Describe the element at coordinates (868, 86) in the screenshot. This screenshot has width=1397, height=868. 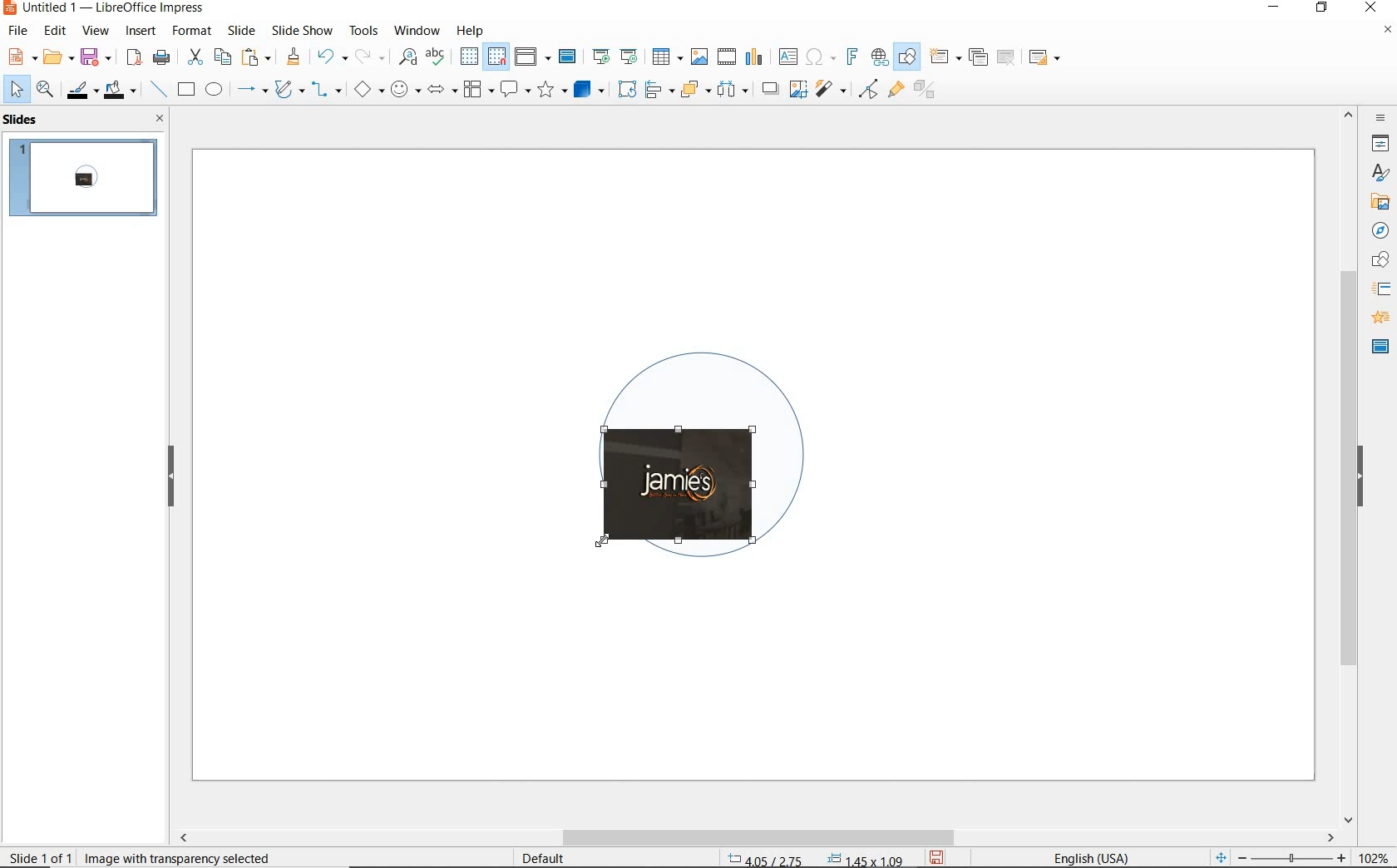
I see `filter` at that location.